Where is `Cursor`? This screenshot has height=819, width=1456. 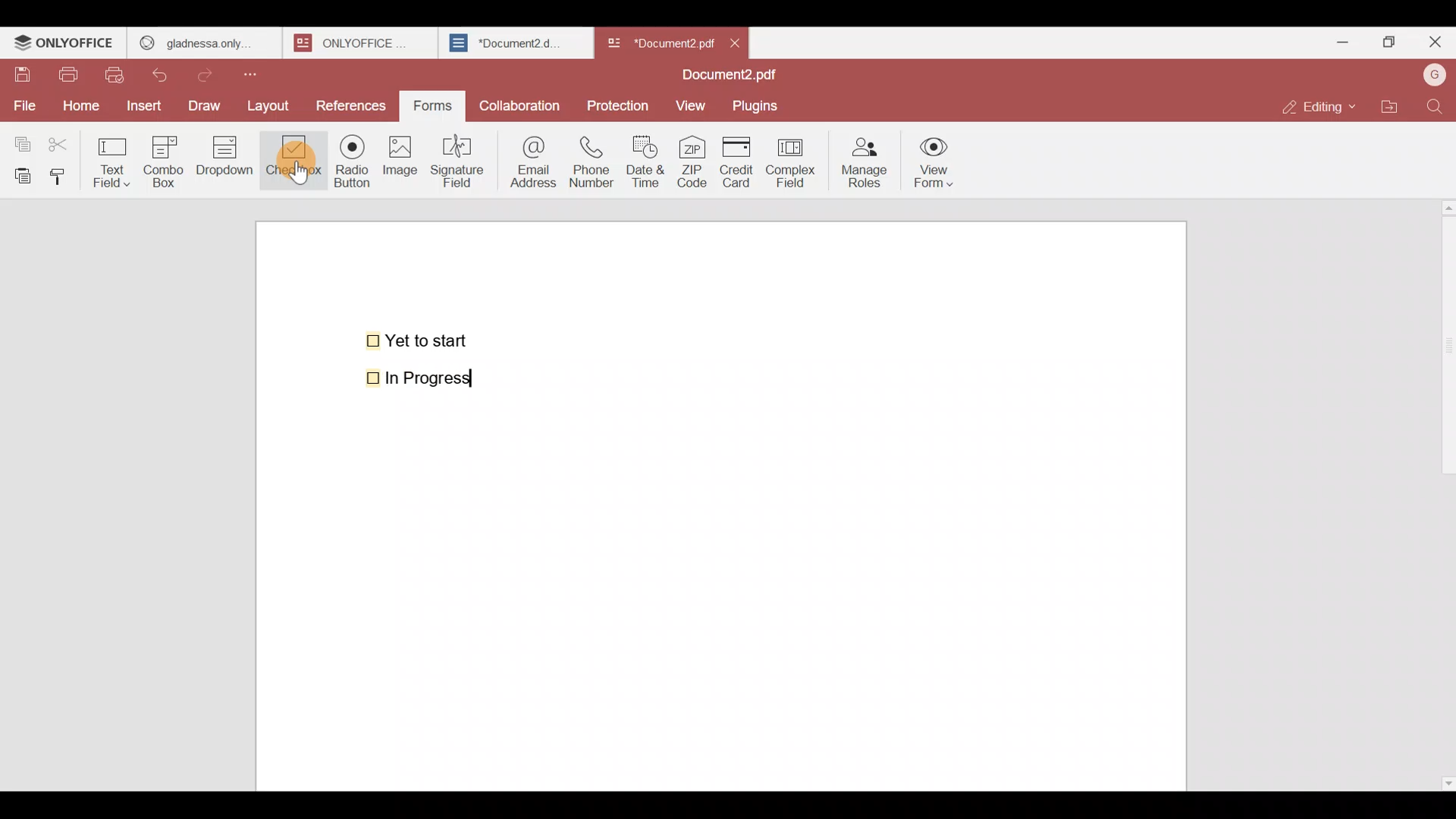
Cursor is located at coordinates (295, 173).